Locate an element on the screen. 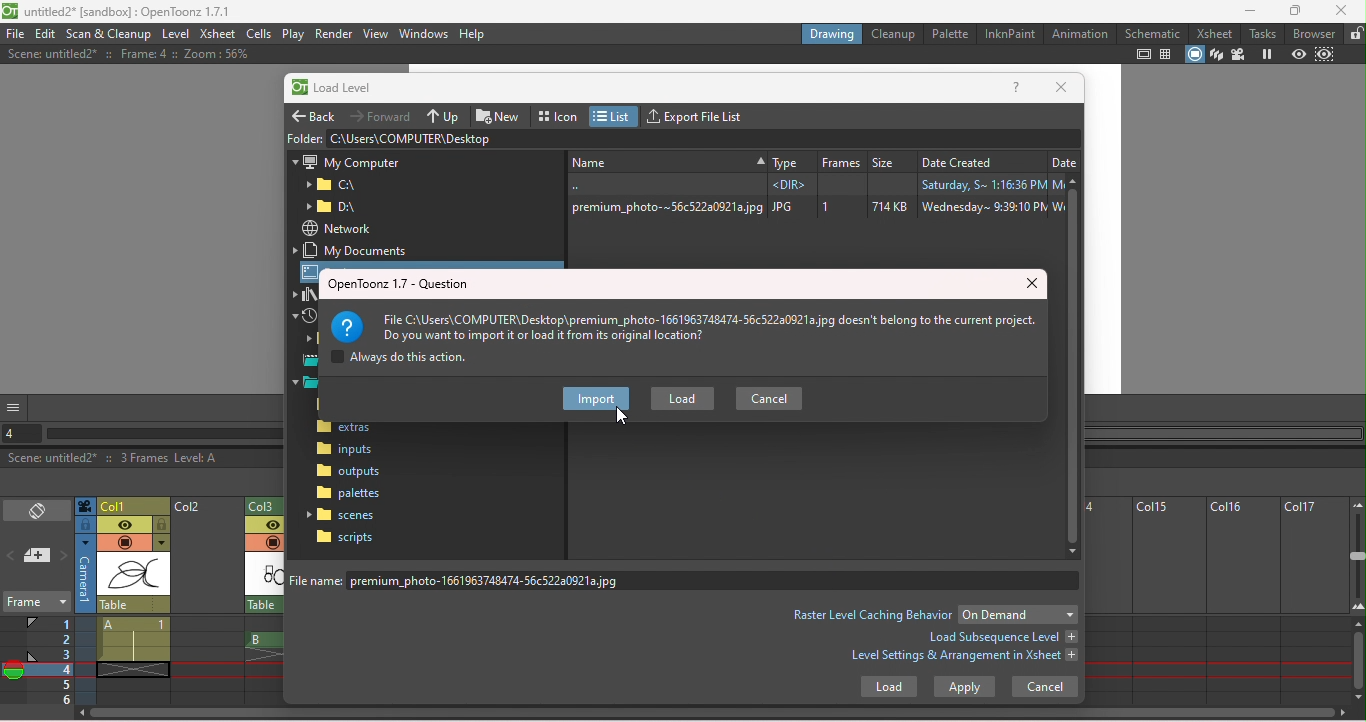 The height and width of the screenshot is (722, 1366). Extras is located at coordinates (354, 429).